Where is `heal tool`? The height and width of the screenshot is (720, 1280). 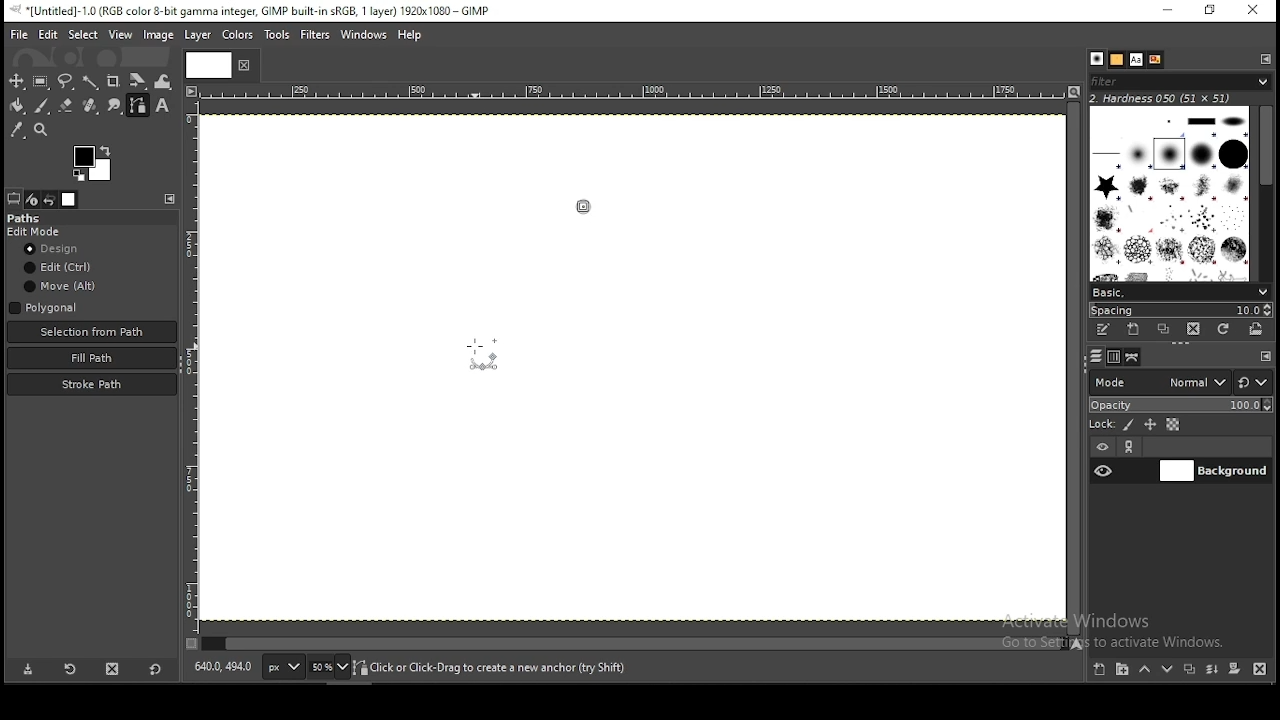 heal tool is located at coordinates (91, 107).